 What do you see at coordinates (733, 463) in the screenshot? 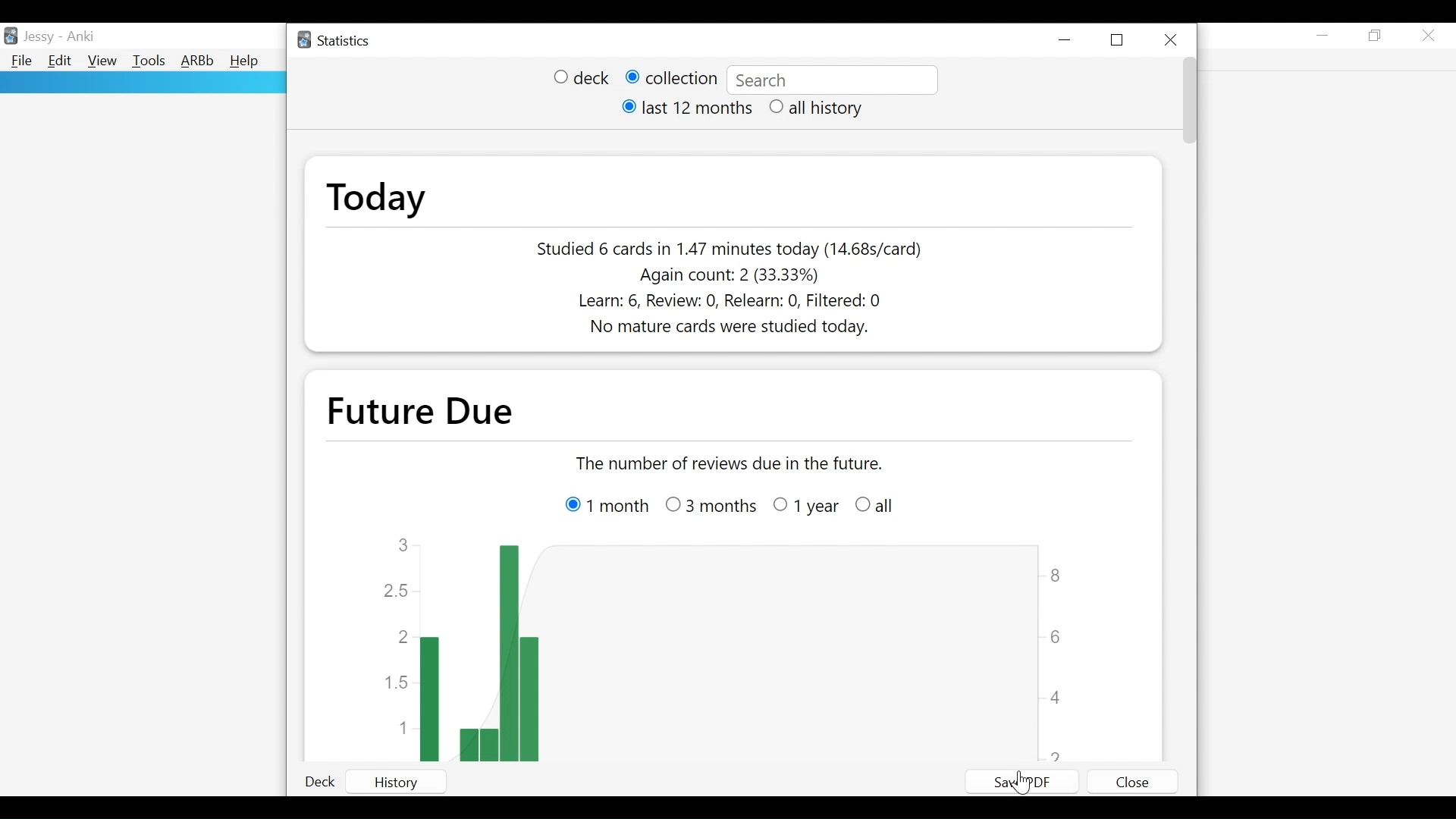
I see `the number of reviews due in the future` at bounding box center [733, 463].